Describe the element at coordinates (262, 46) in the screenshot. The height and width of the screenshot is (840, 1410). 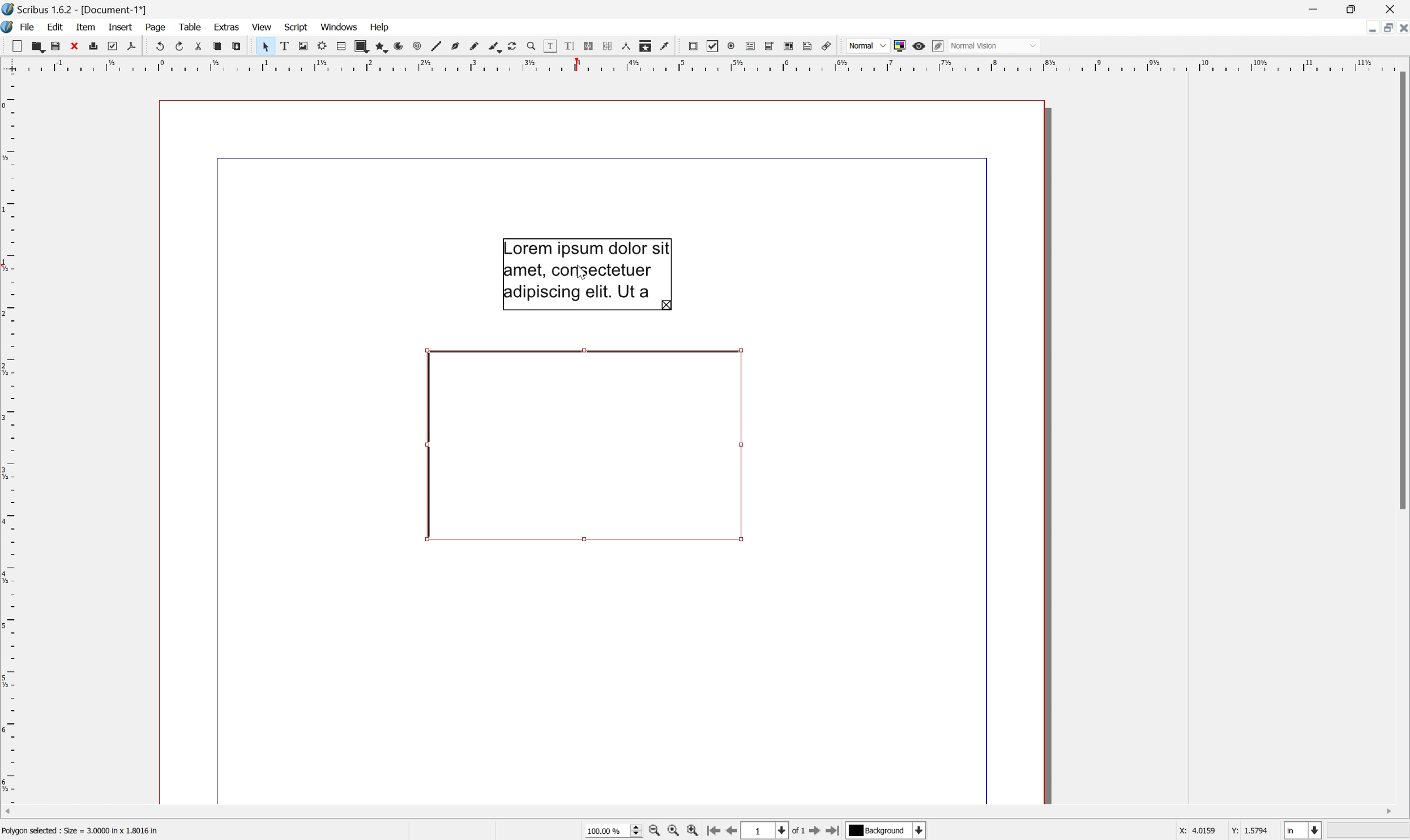
I see `Select item` at that location.